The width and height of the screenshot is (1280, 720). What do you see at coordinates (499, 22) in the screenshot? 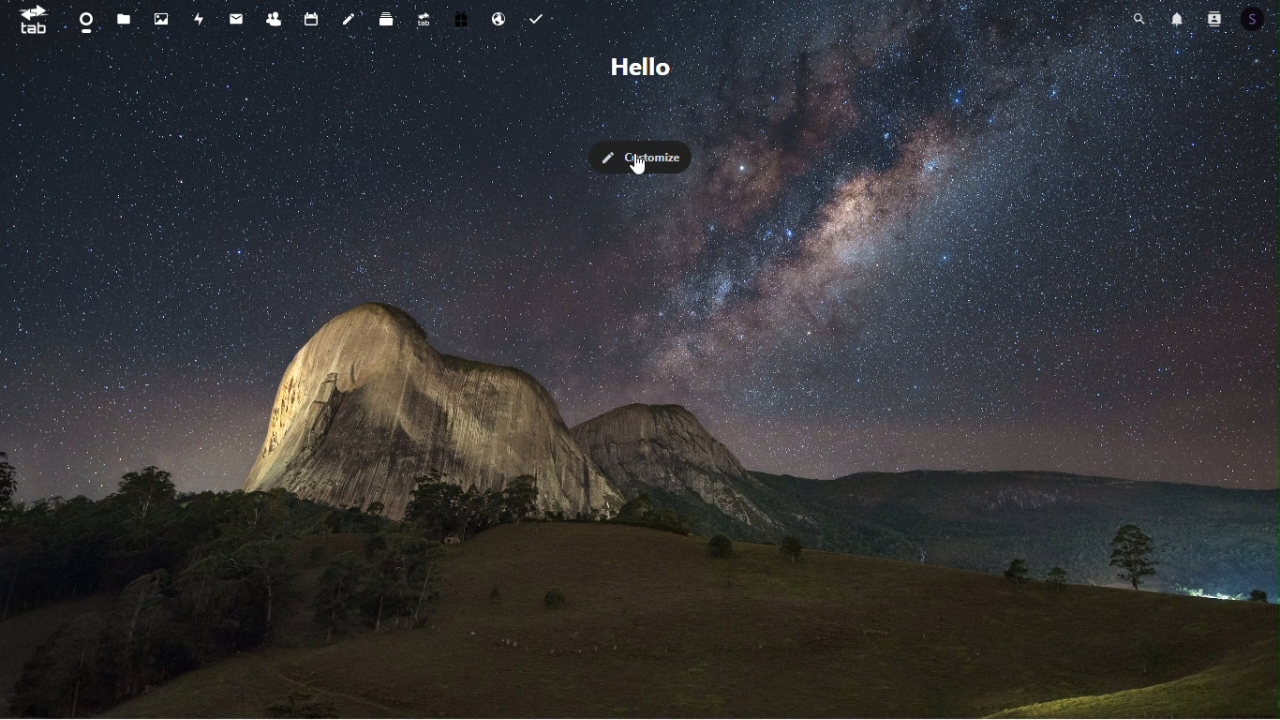
I see `Email hosting` at bounding box center [499, 22].